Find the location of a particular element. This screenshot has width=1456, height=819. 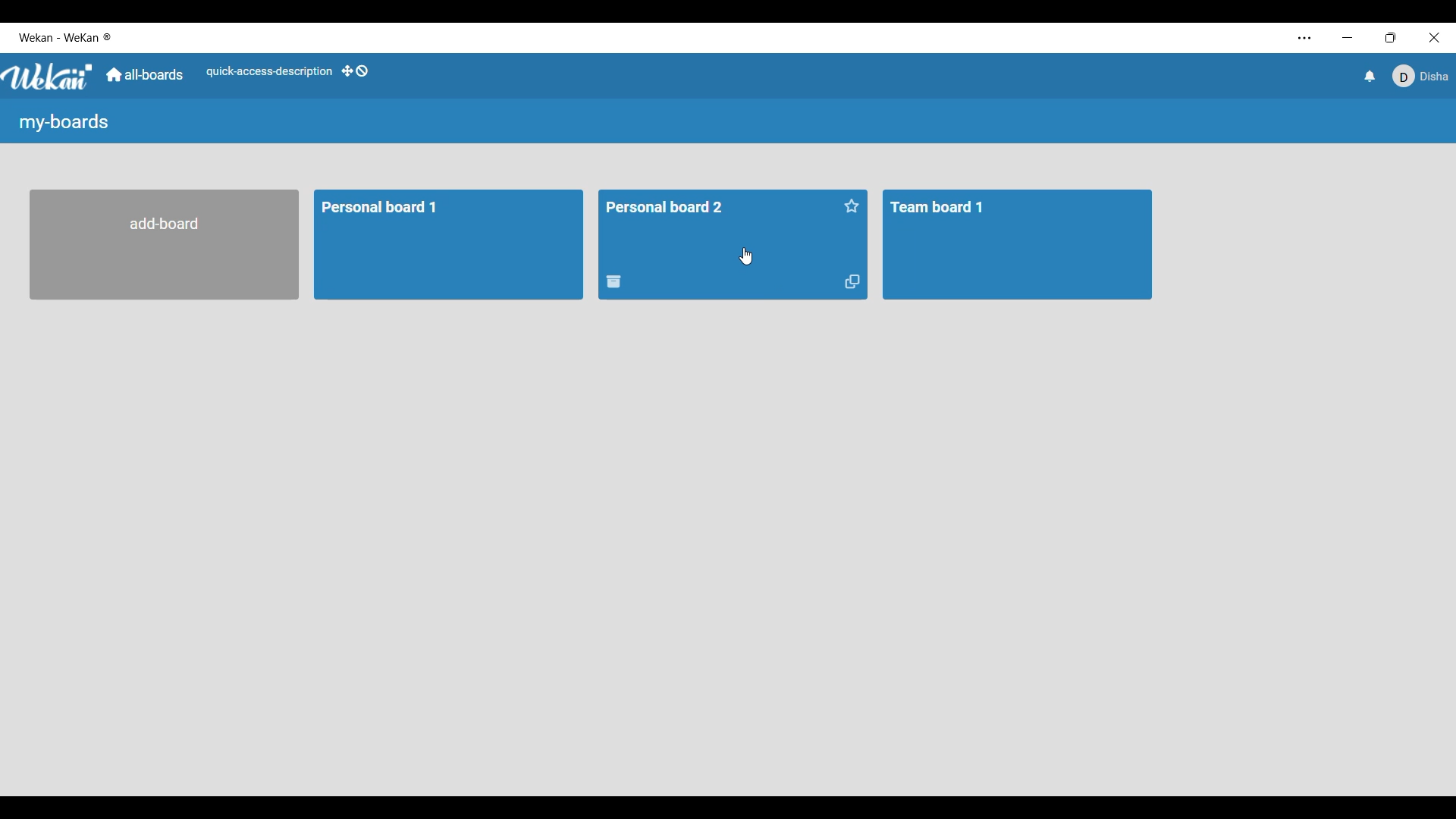

Delete is located at coordinates (614, 281).